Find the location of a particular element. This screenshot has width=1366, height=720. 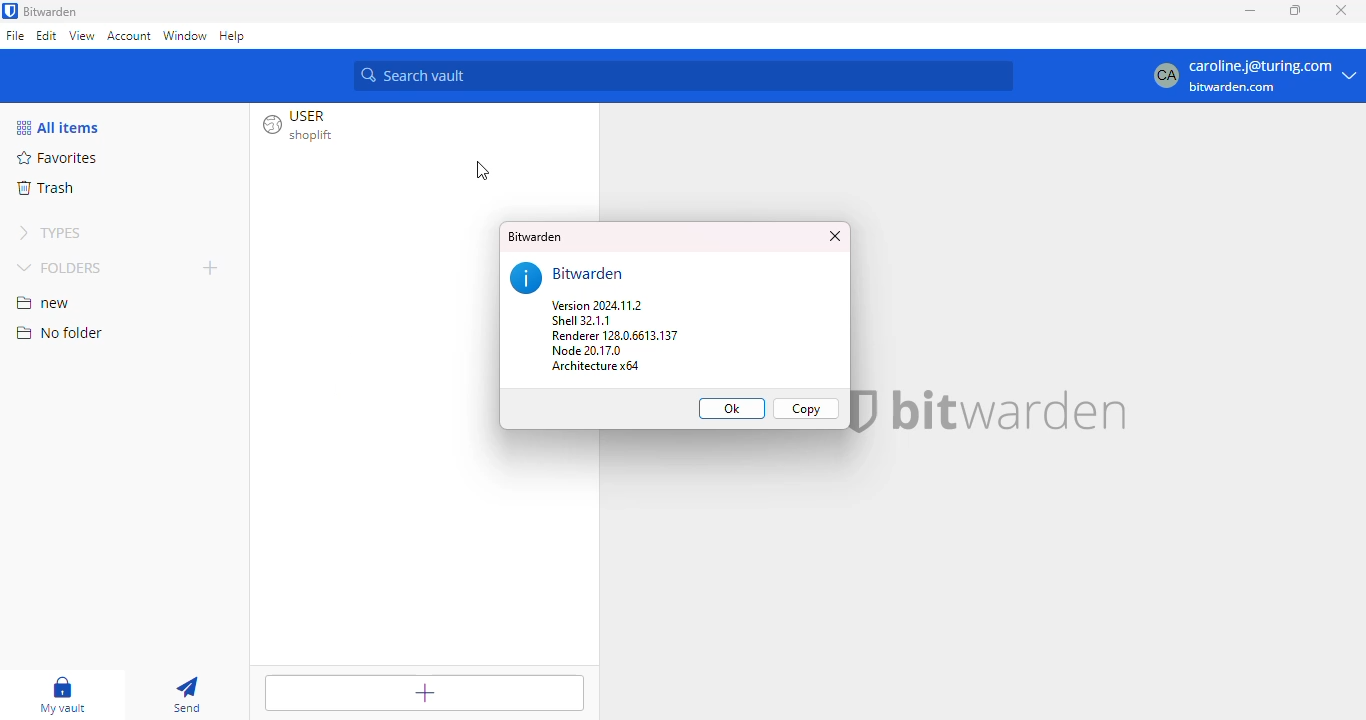

trash is located at coordinates (46, 187).